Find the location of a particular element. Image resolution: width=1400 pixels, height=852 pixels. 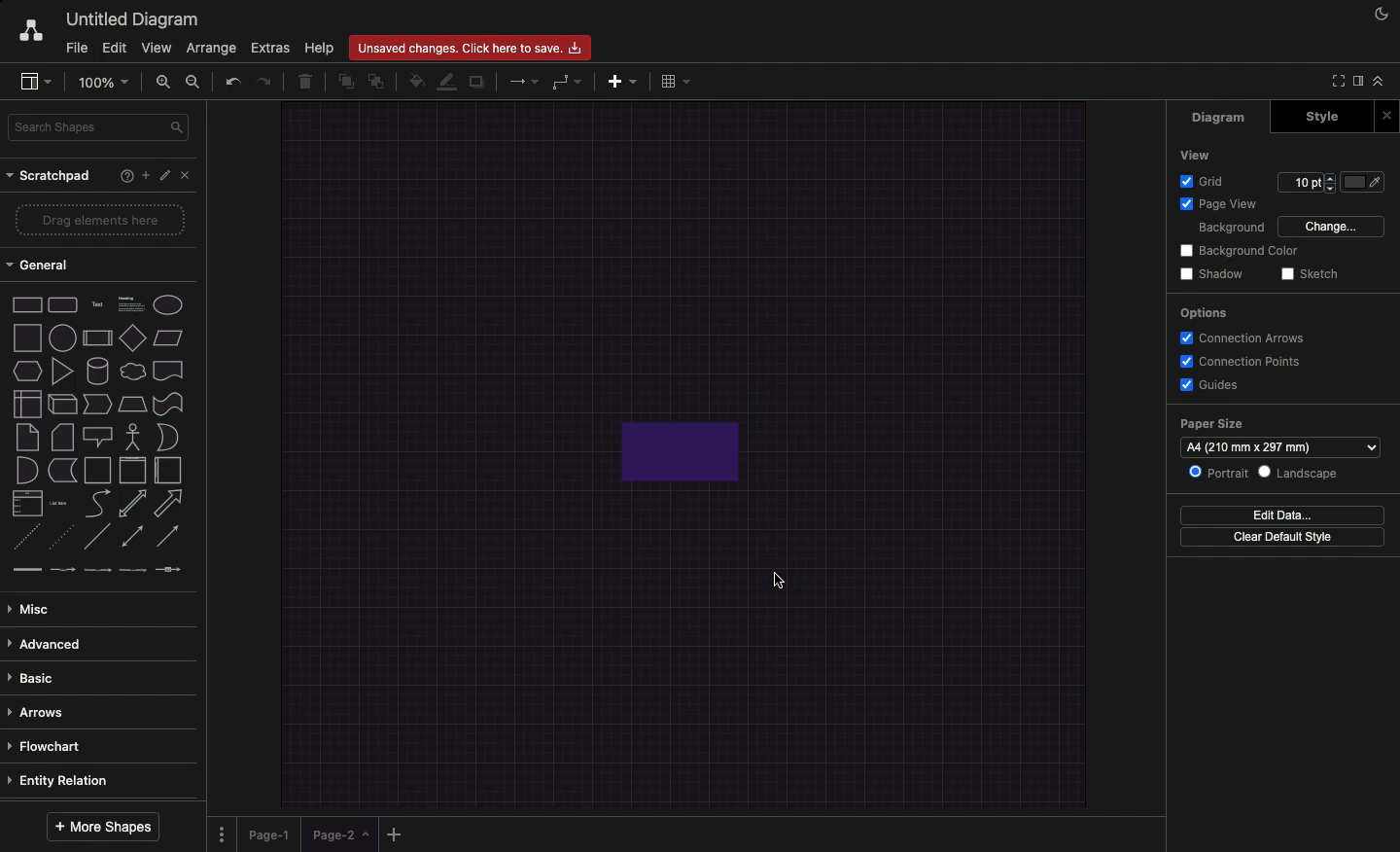

View is located at coordinates (158, 47).